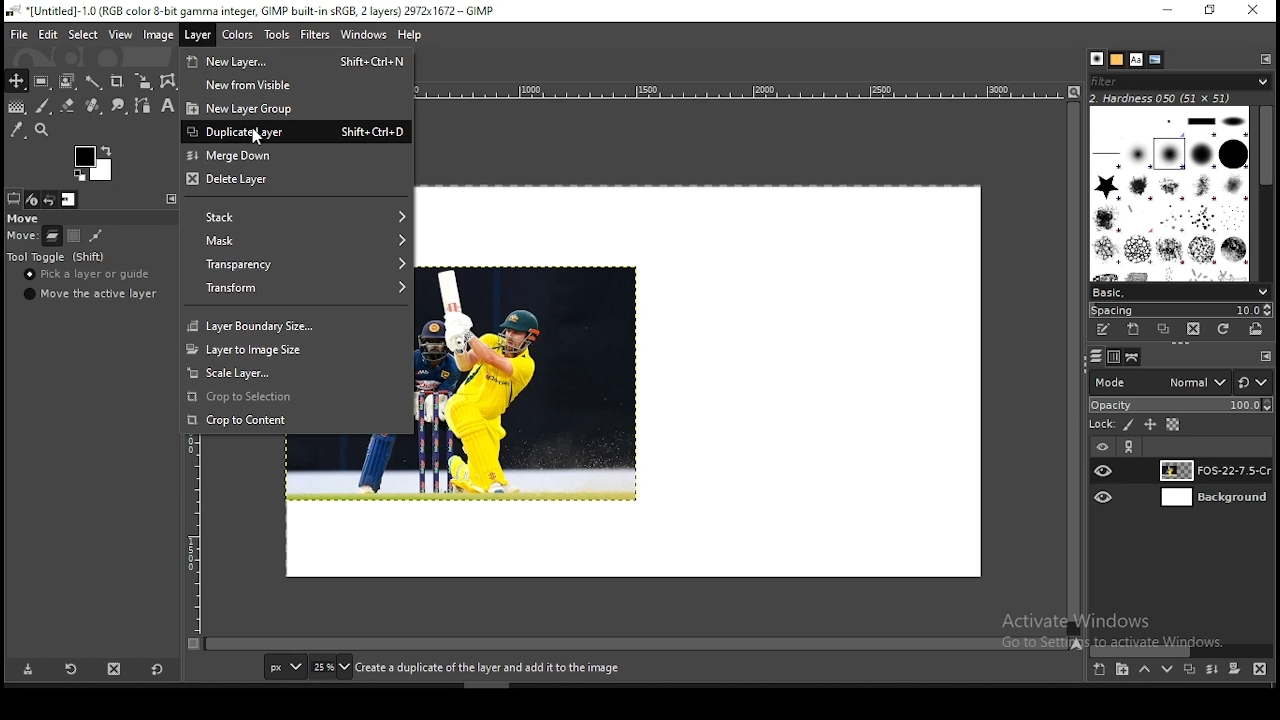 This screenshot has width=1280, height=720. Describe the element at coordinates (1098, 671) in the screenshot. I see `new layer ` at that location.